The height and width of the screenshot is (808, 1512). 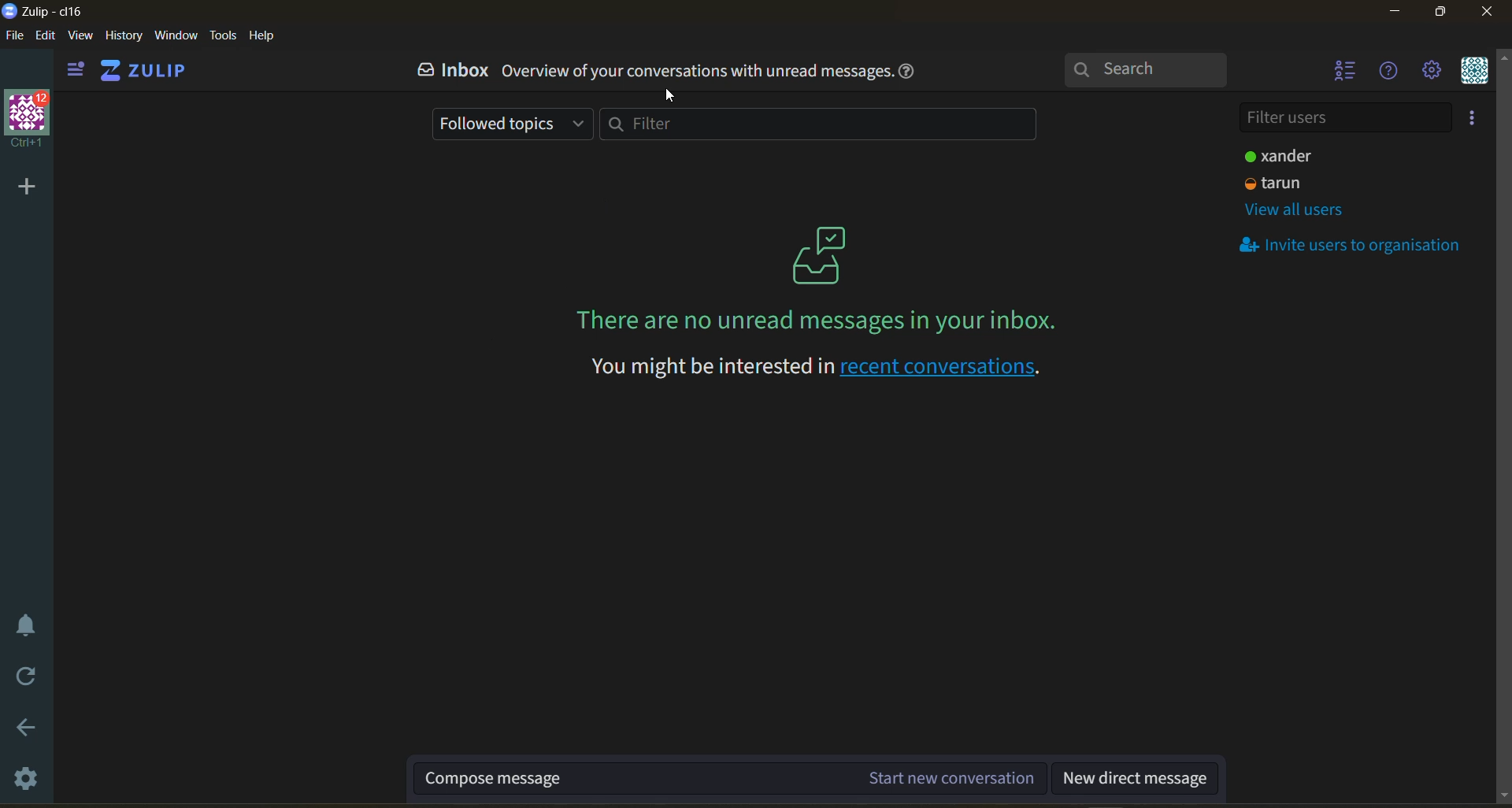 I want to click on view, so click(x=84, y=37).